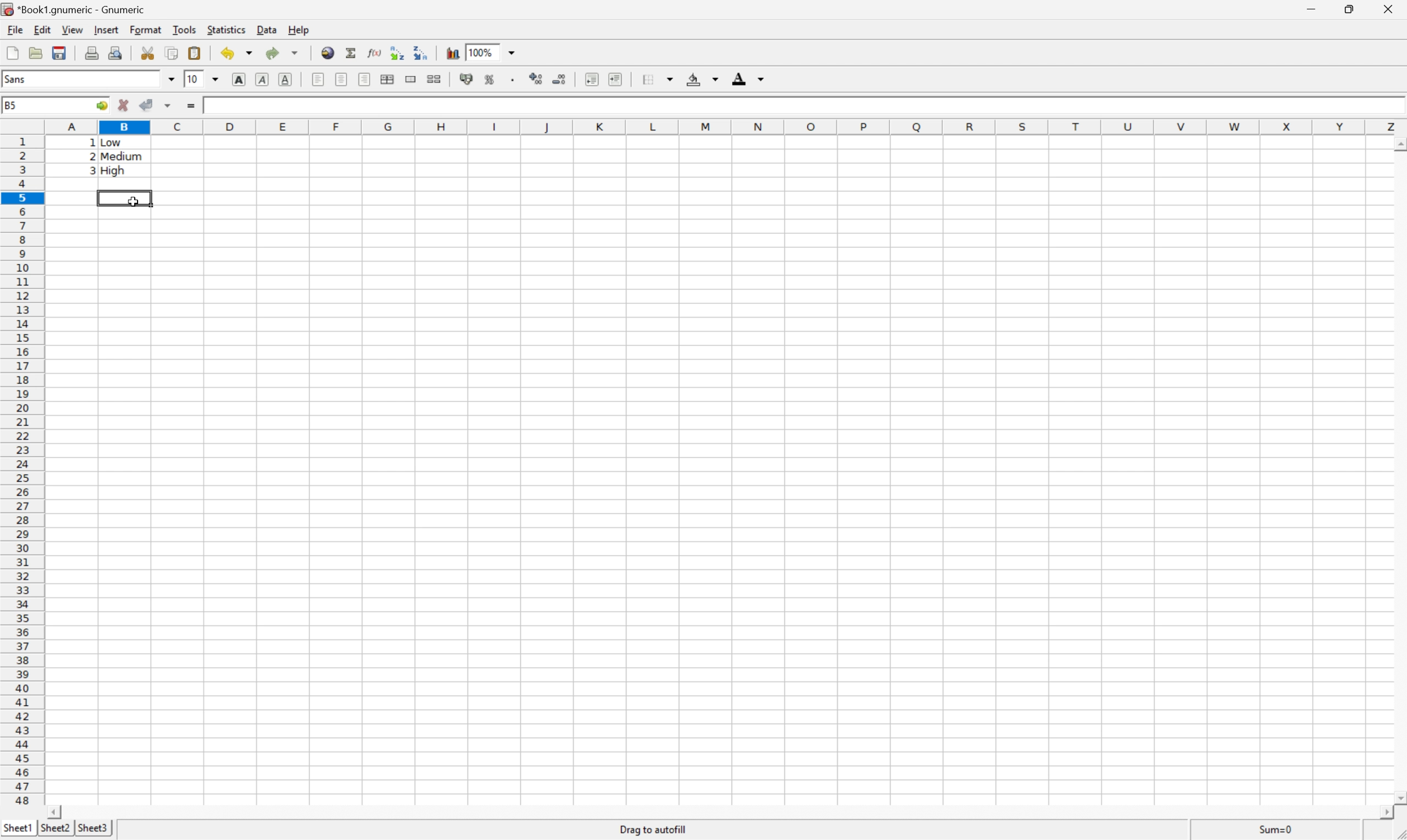 The image size is (1407, 840). Describe the element at coordinates (186, 29) in the screenshot. I see `Tools` at that location.